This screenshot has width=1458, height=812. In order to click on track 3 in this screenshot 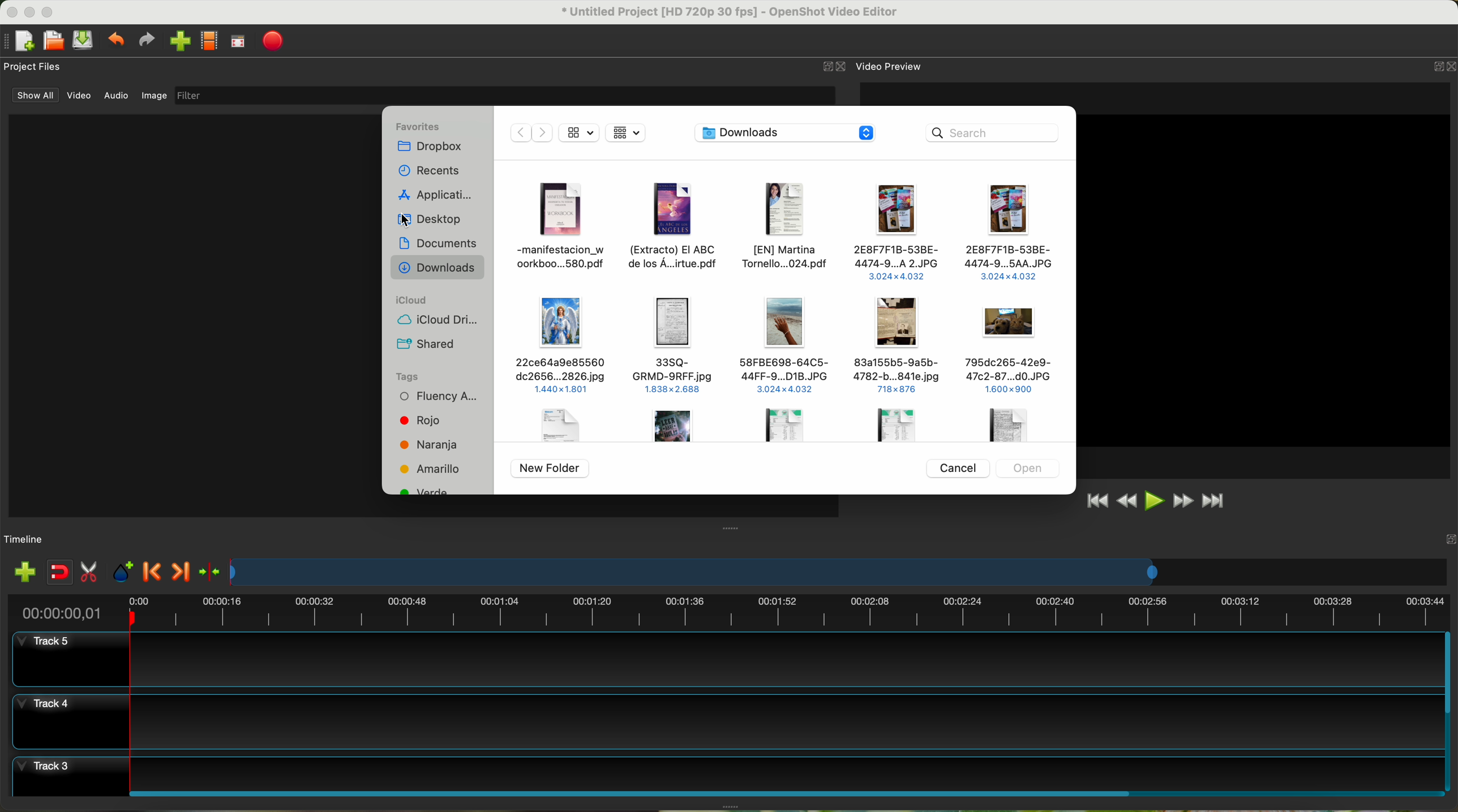, I will do `click(726, 771)`.